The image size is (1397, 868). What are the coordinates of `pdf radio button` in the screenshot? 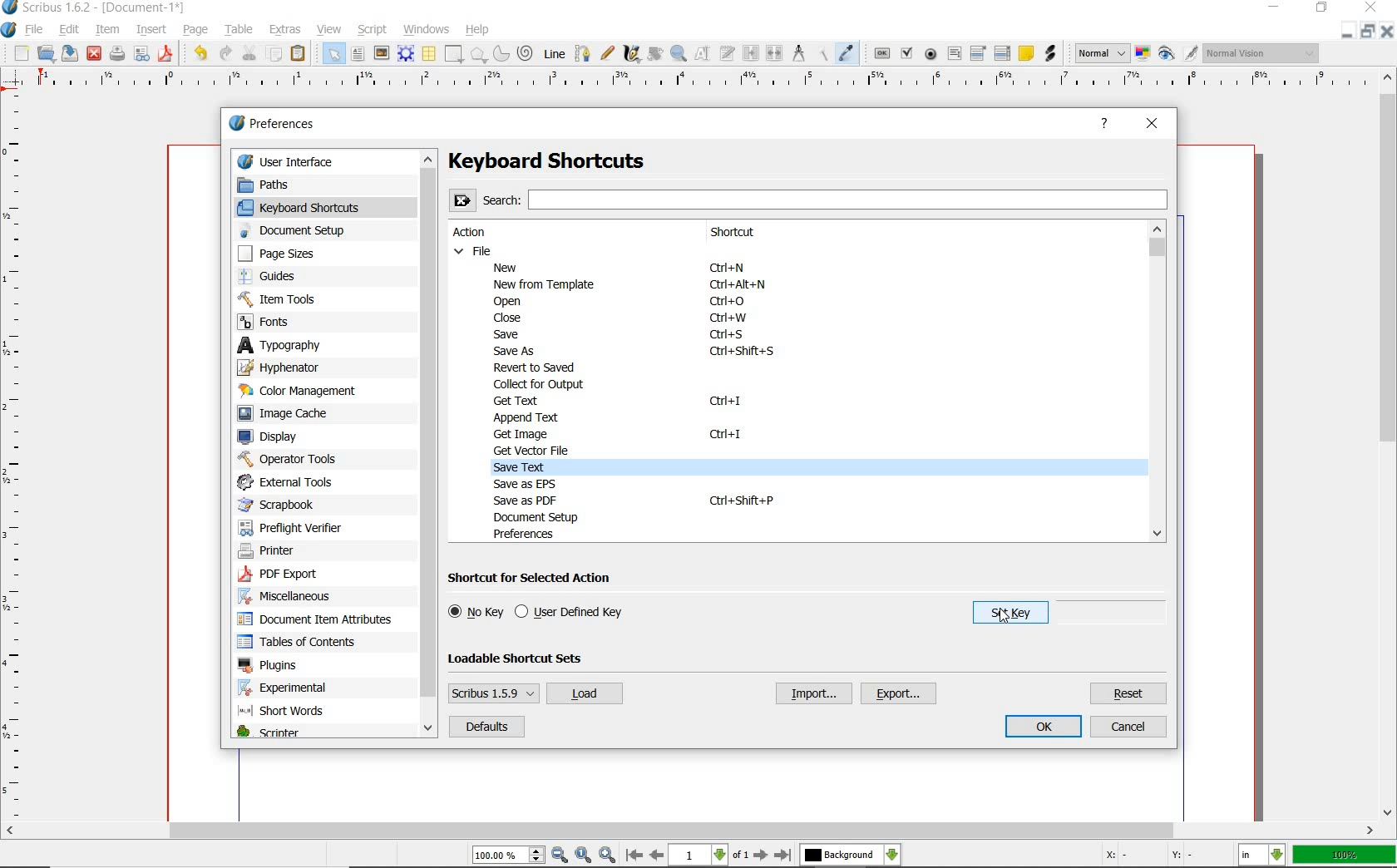 It's located at (932, 54).